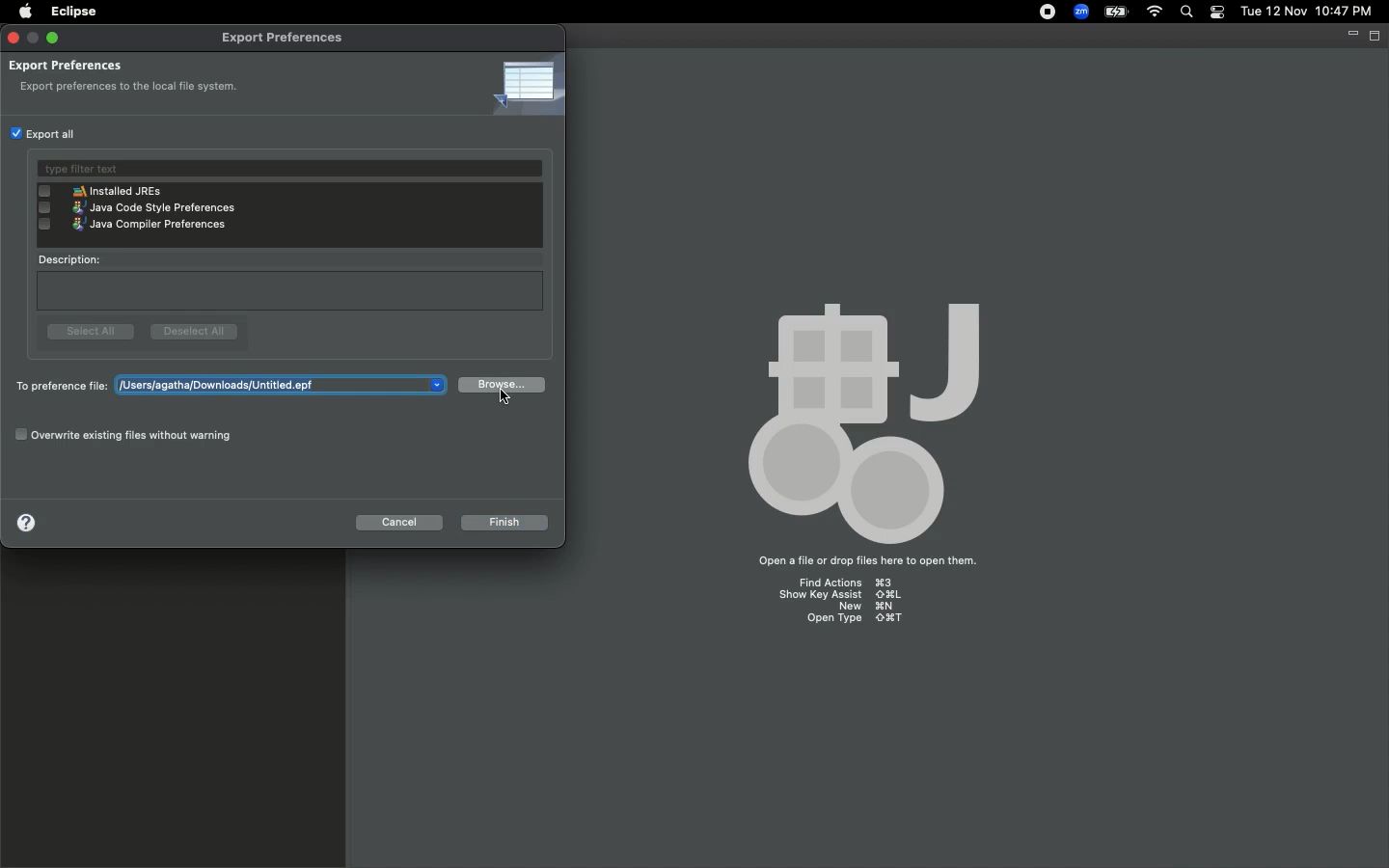 This screenshot has height=868, width=1389. I want to click on find actions , so click(836, 583).